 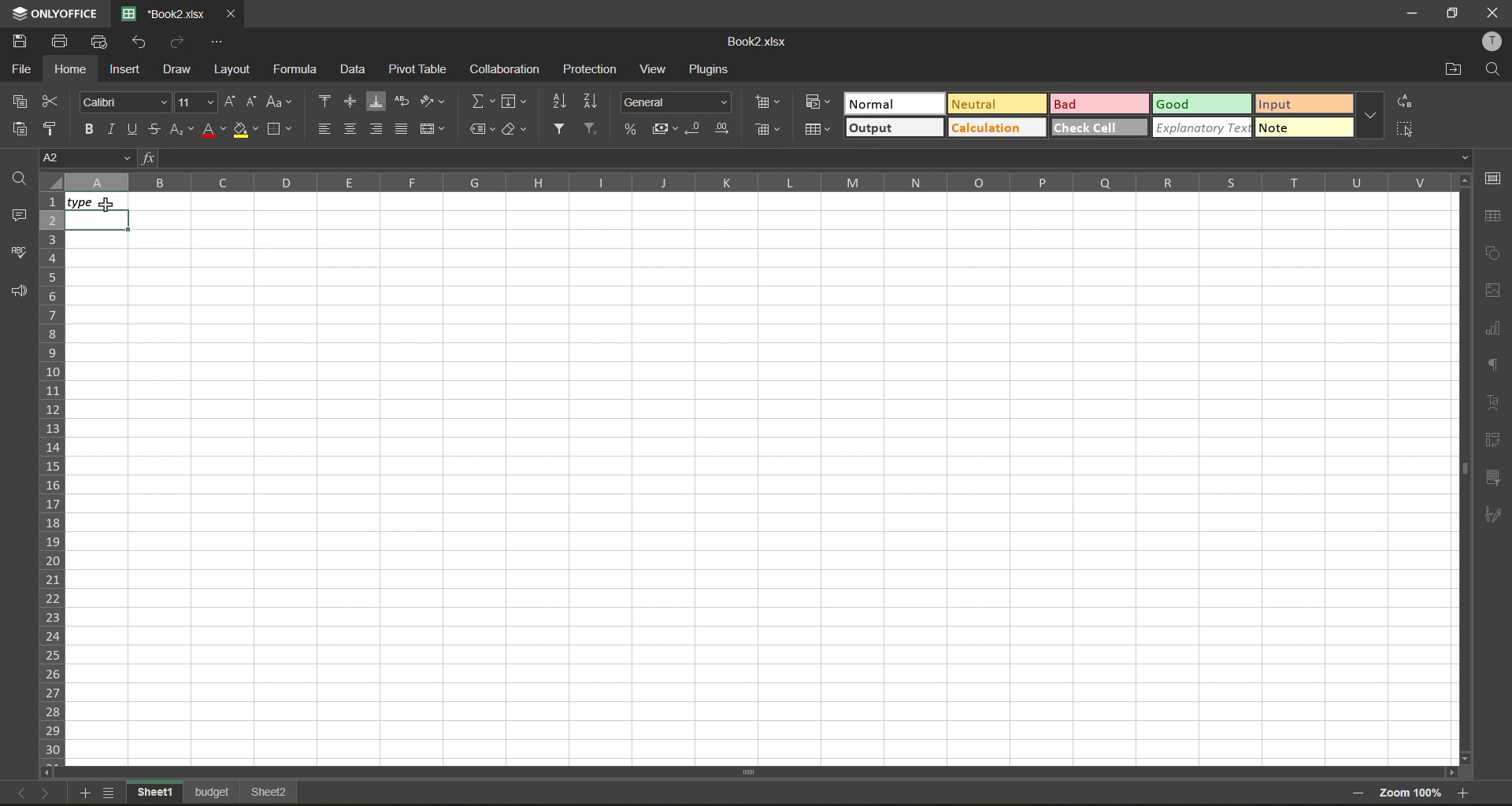 I want to click on remove cells, so click(x=766, y=129).